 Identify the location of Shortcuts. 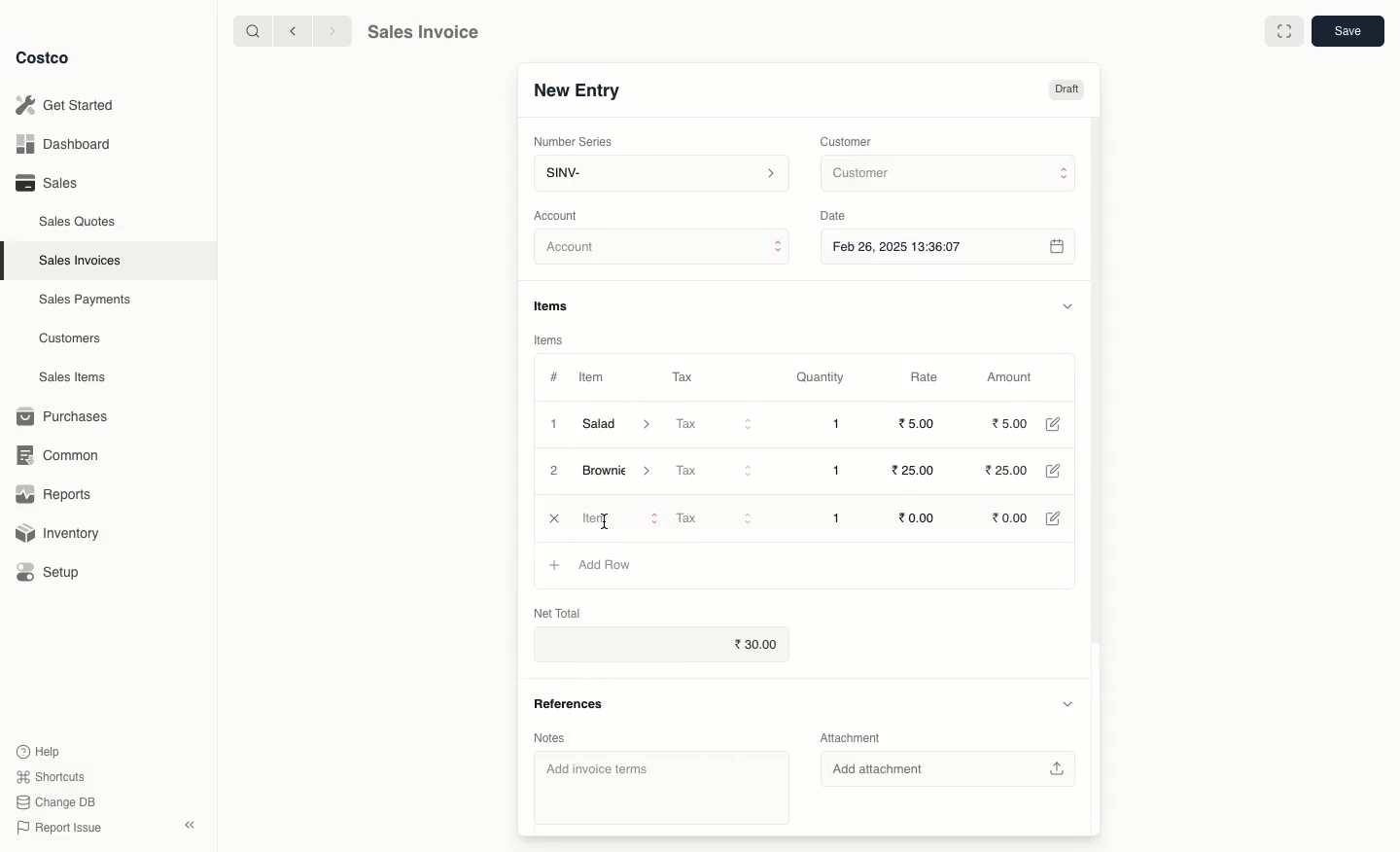
(50, 777).